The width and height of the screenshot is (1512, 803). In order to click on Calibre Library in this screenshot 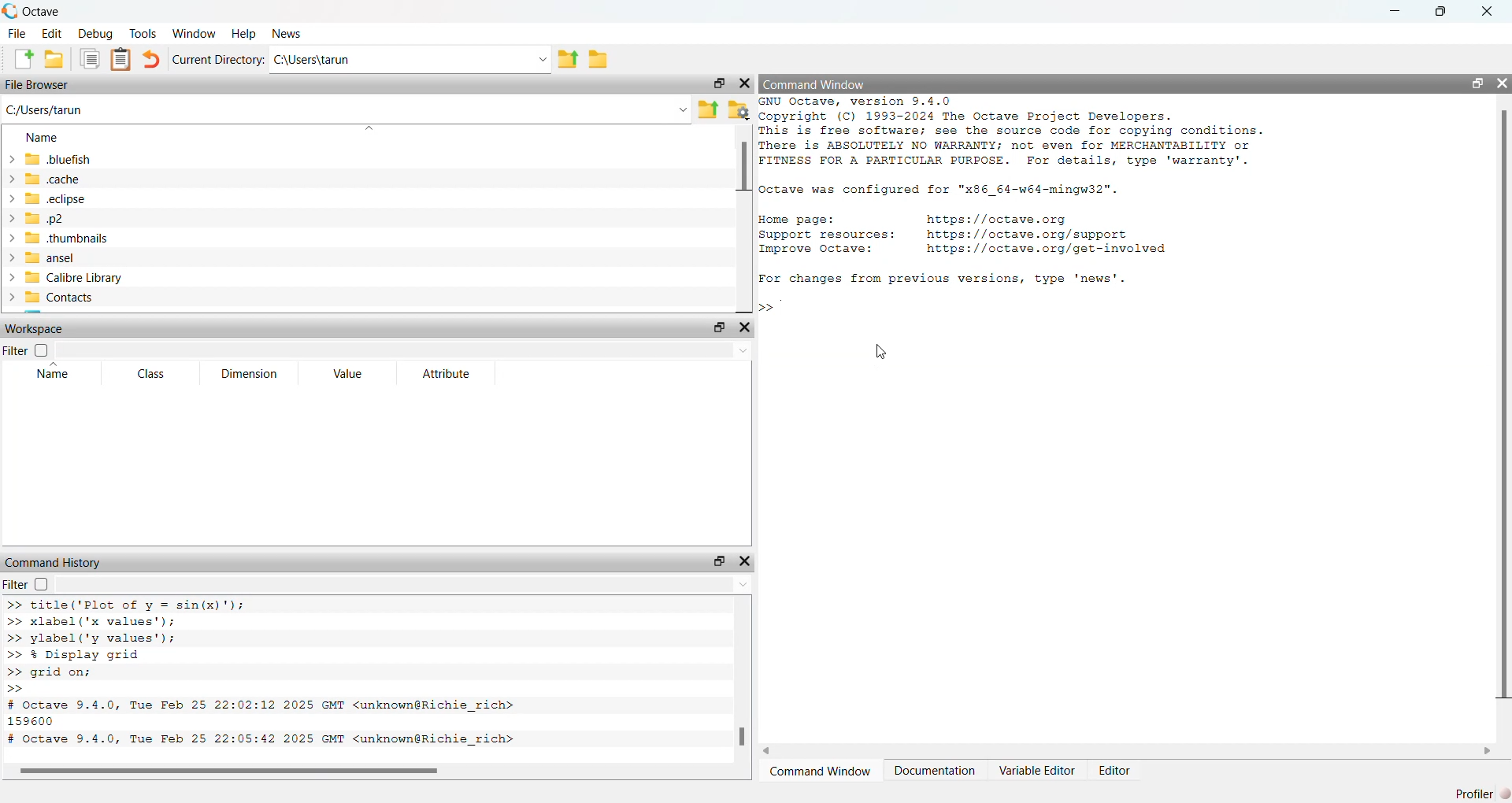, I will do `click(65, 279)`.